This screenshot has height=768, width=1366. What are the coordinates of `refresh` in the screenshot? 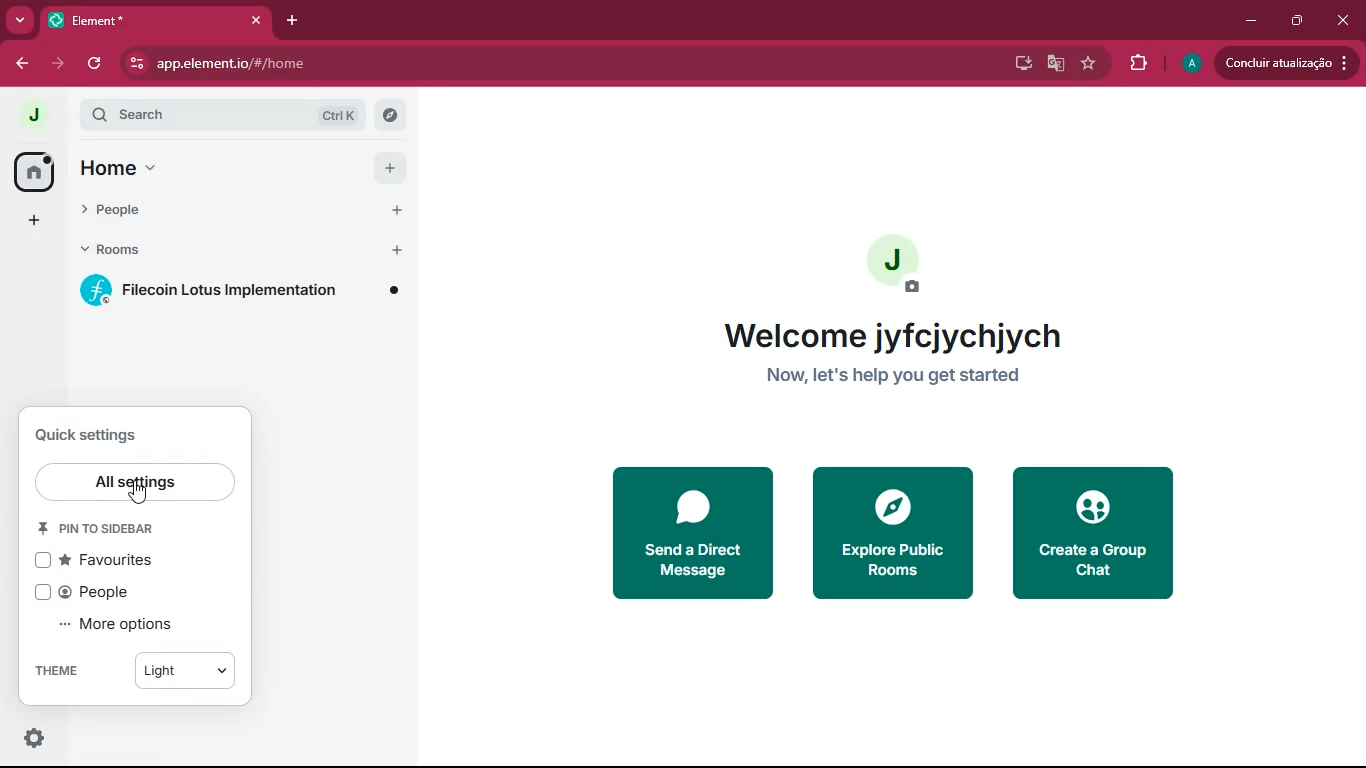 It's located at (96, 64).